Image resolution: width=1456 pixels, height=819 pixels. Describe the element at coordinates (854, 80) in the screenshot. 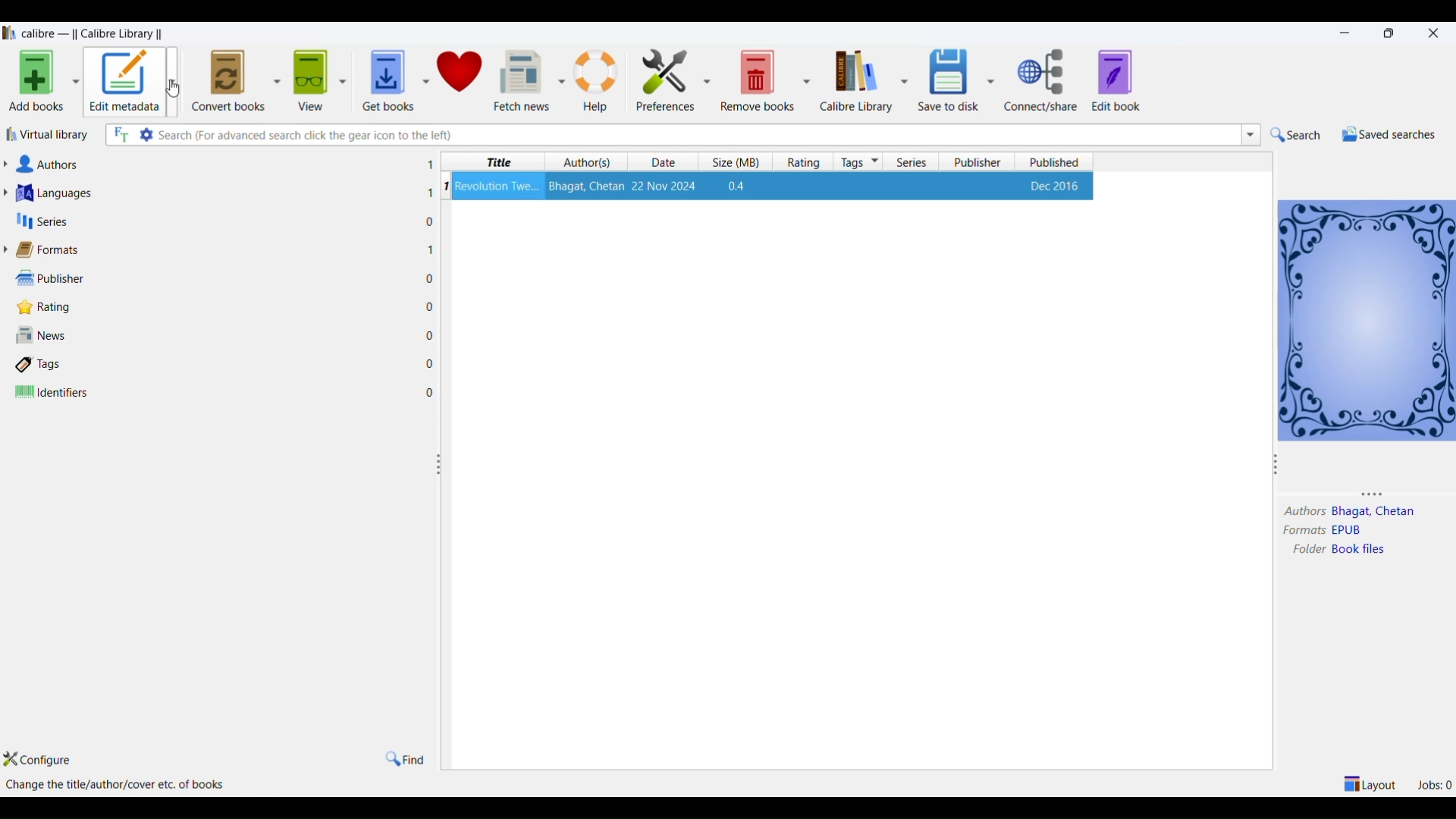

I see `calibre library` at that location.